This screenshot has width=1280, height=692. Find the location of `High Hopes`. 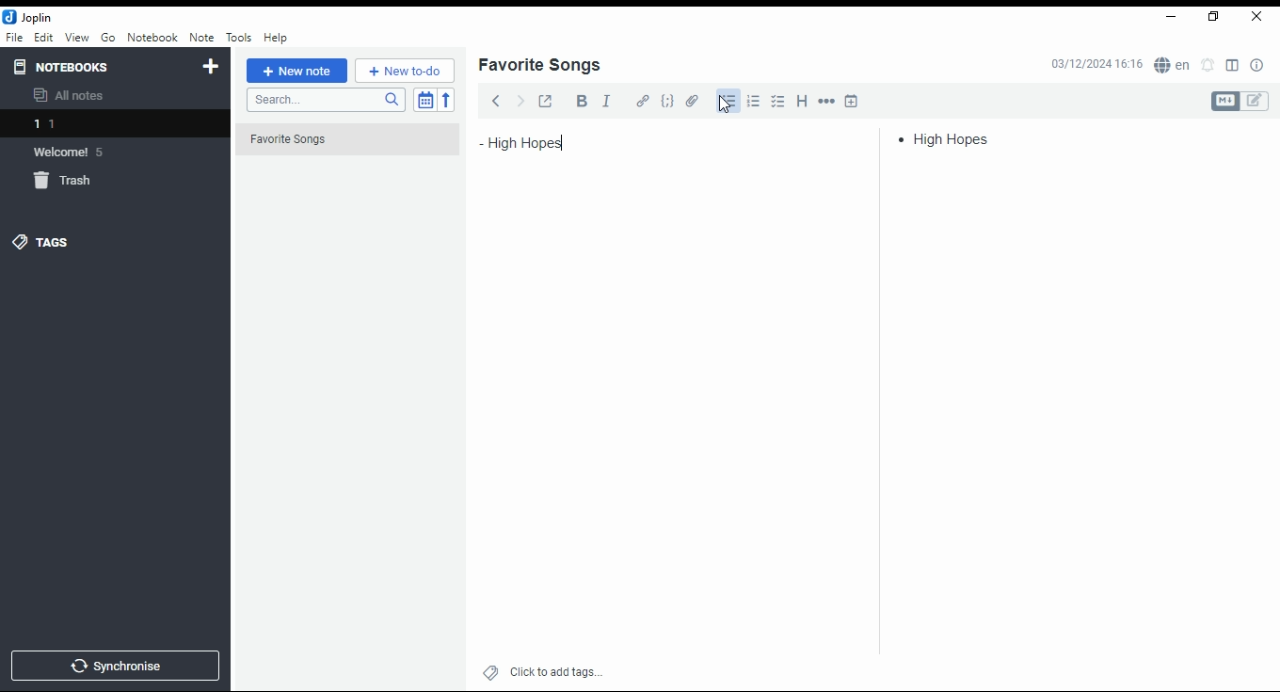

High Hopes is located at coordinates (576, 141).